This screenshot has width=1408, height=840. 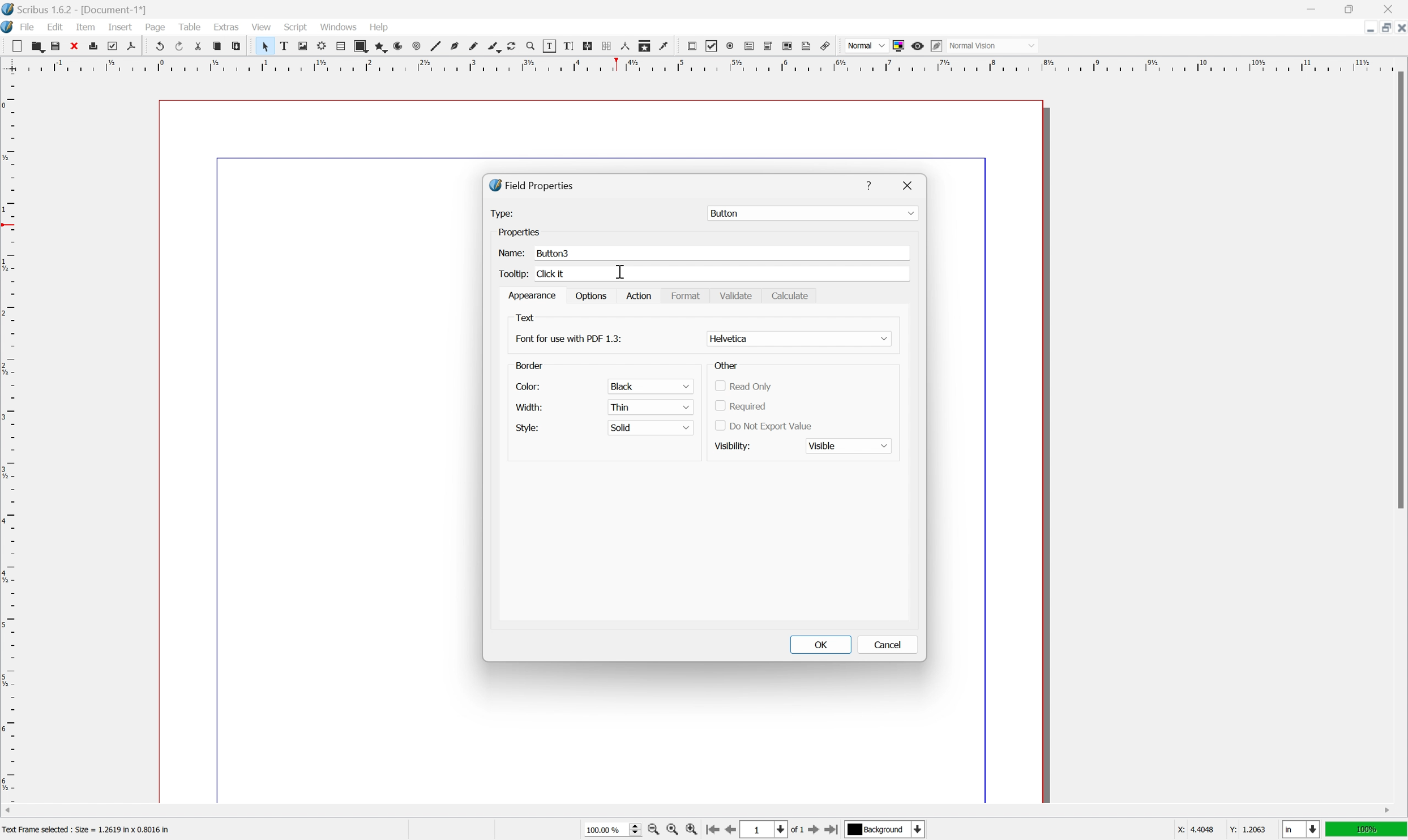 What do you see at coordinates (543, 231) in the screenshot?
I see `Properties` at bounding box center [543, 231].